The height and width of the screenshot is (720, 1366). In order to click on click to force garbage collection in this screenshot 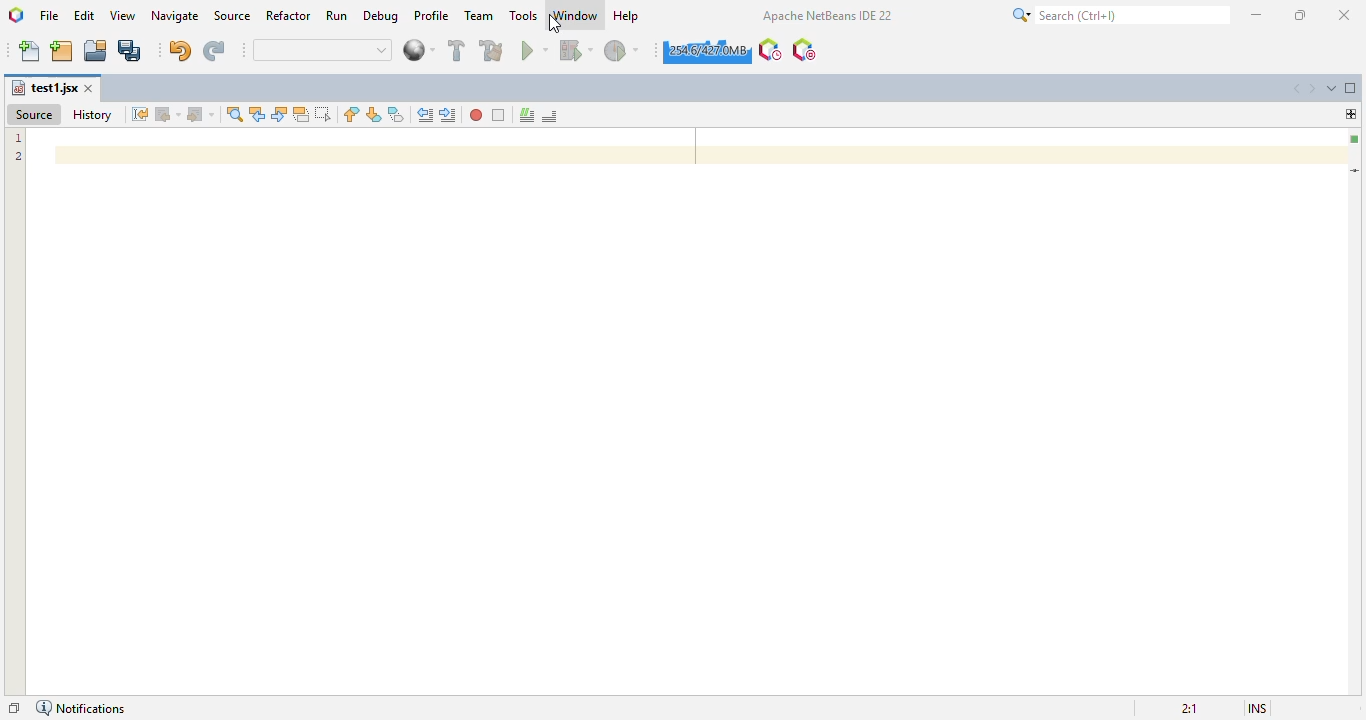, I will do `click(706, 51)`.